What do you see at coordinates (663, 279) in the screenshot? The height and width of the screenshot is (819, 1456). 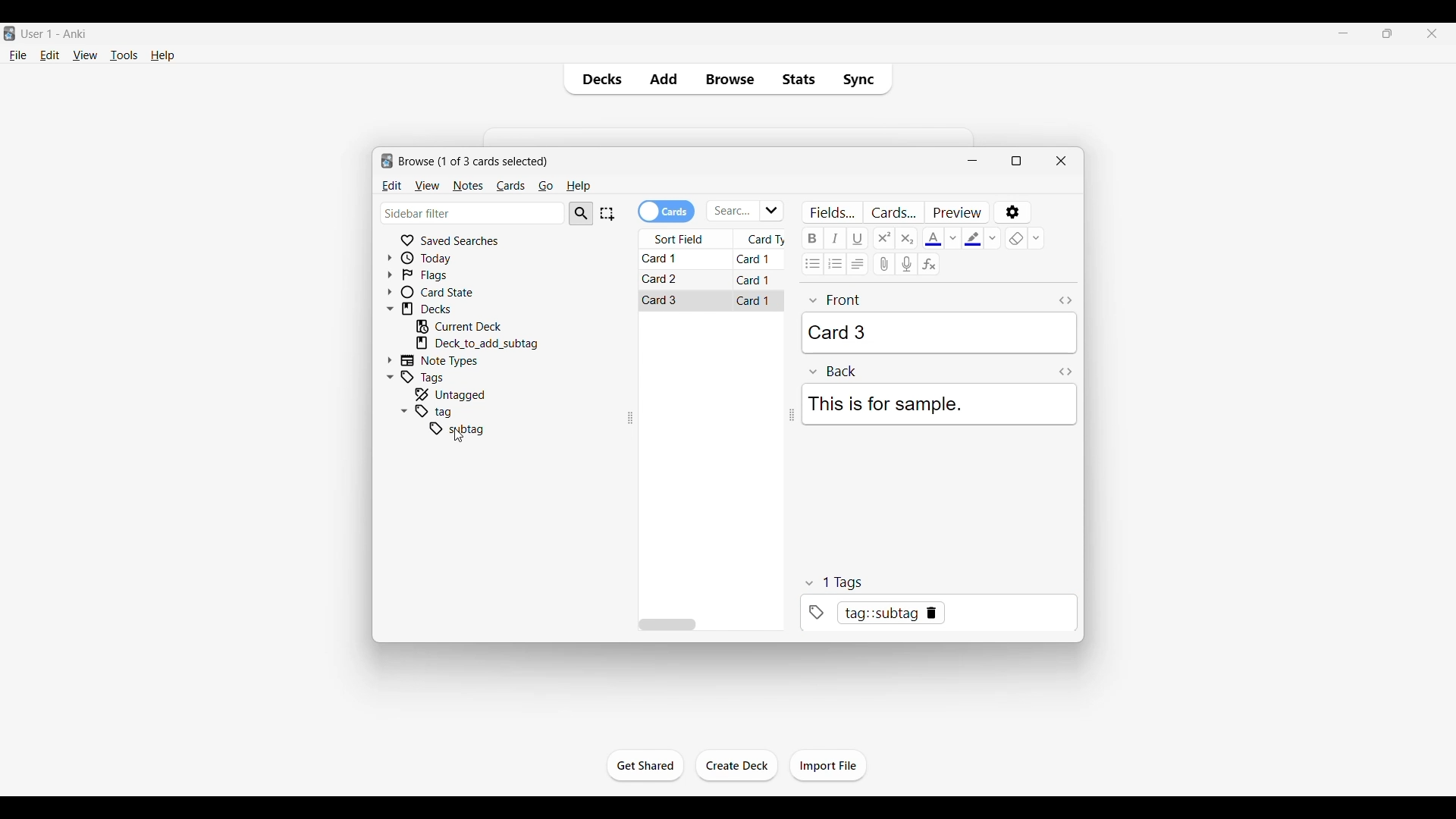 I see `Card 2` at bounding box center [663, 279].